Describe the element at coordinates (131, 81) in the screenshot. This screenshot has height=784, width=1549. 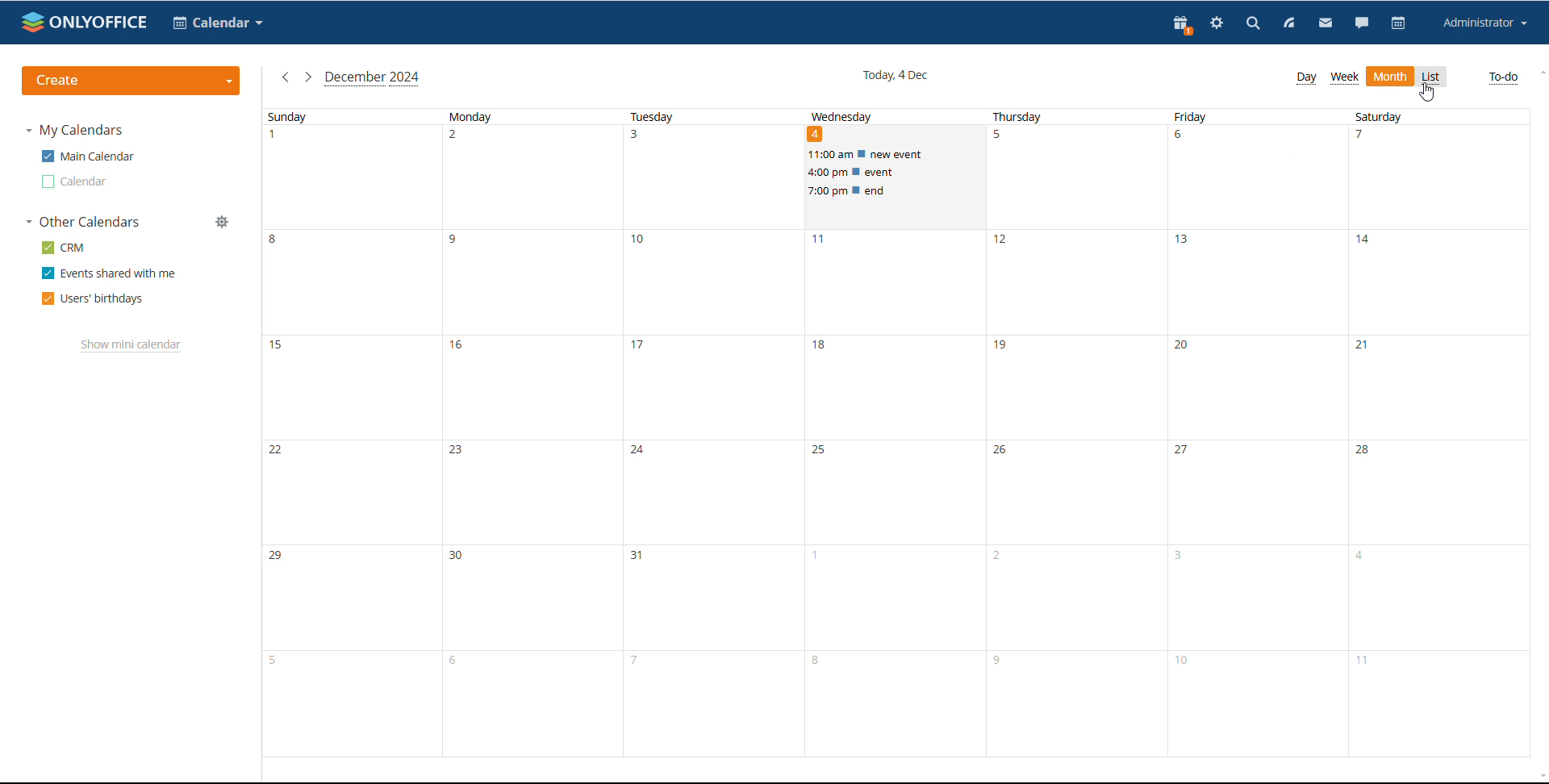
I see `create` at that location.